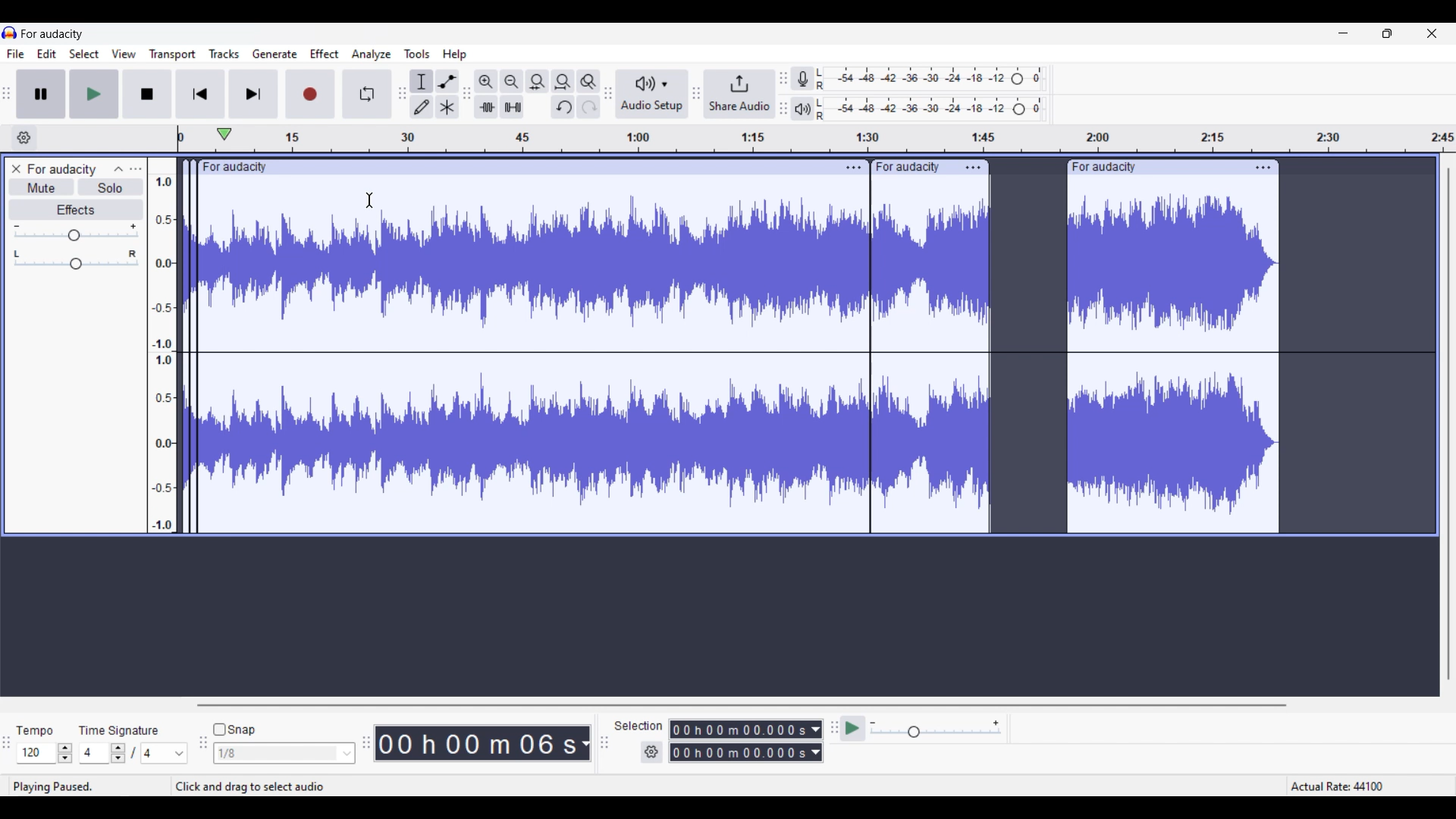  I want to click on Open menu, so click(138, 170).